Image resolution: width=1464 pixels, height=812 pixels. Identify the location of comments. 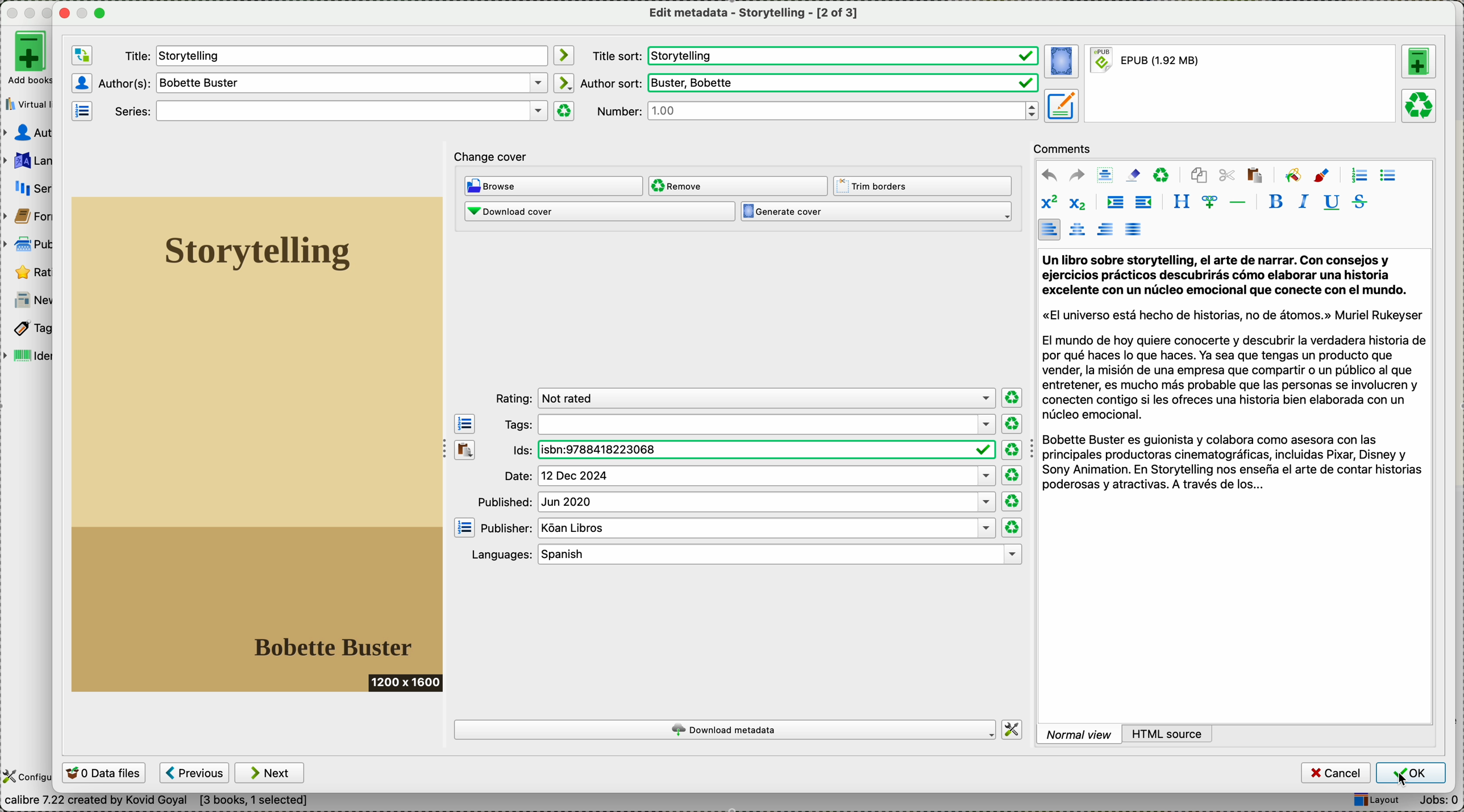
(1064, 149).